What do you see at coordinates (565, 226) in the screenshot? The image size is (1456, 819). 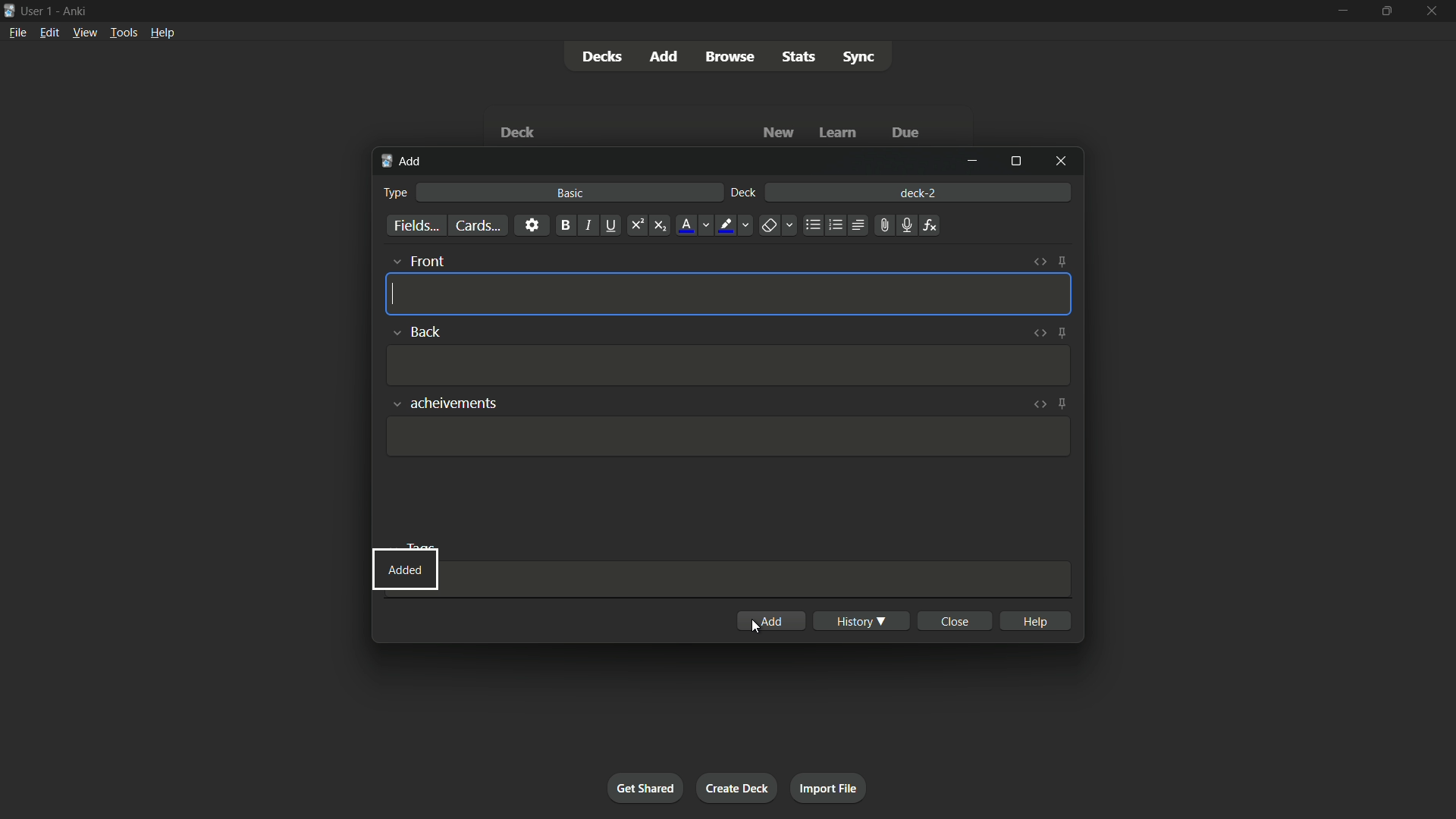 I see `bold` at bounding box center [565, 226].